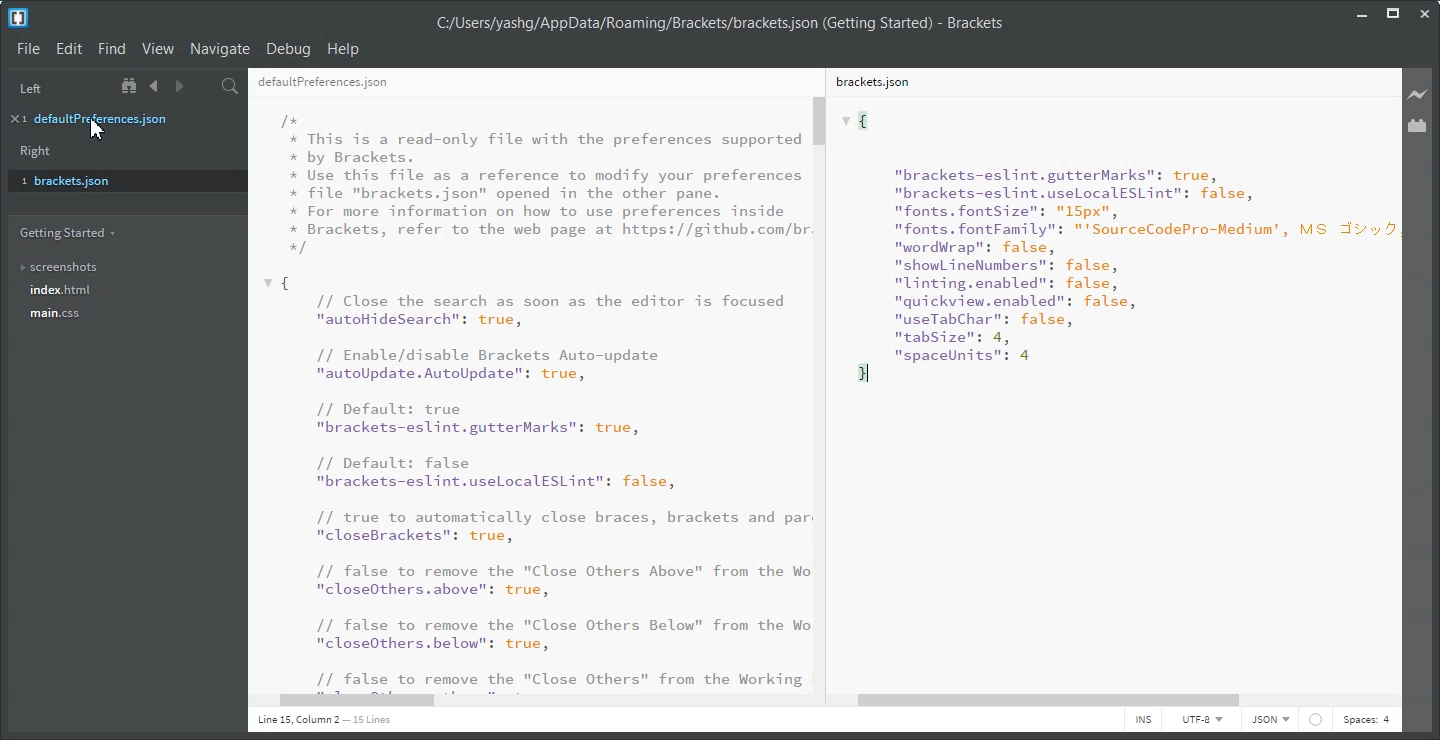  Describe the element at coordinates (522, 81) in the screenshot. I see `defaultpreferences.json File` at that location.